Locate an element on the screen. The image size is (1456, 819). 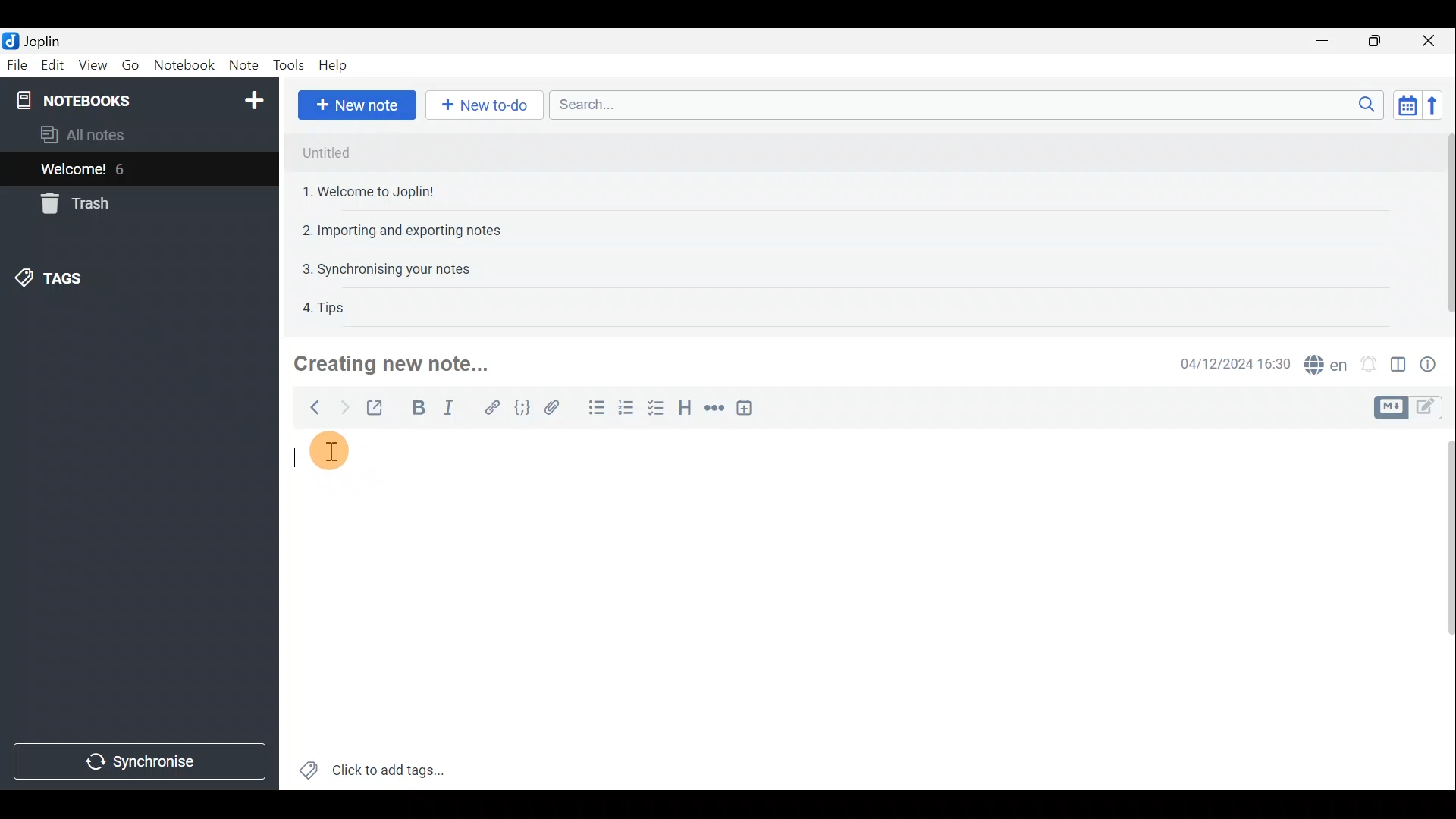
Welcome! is located at coordinates (74, 171).